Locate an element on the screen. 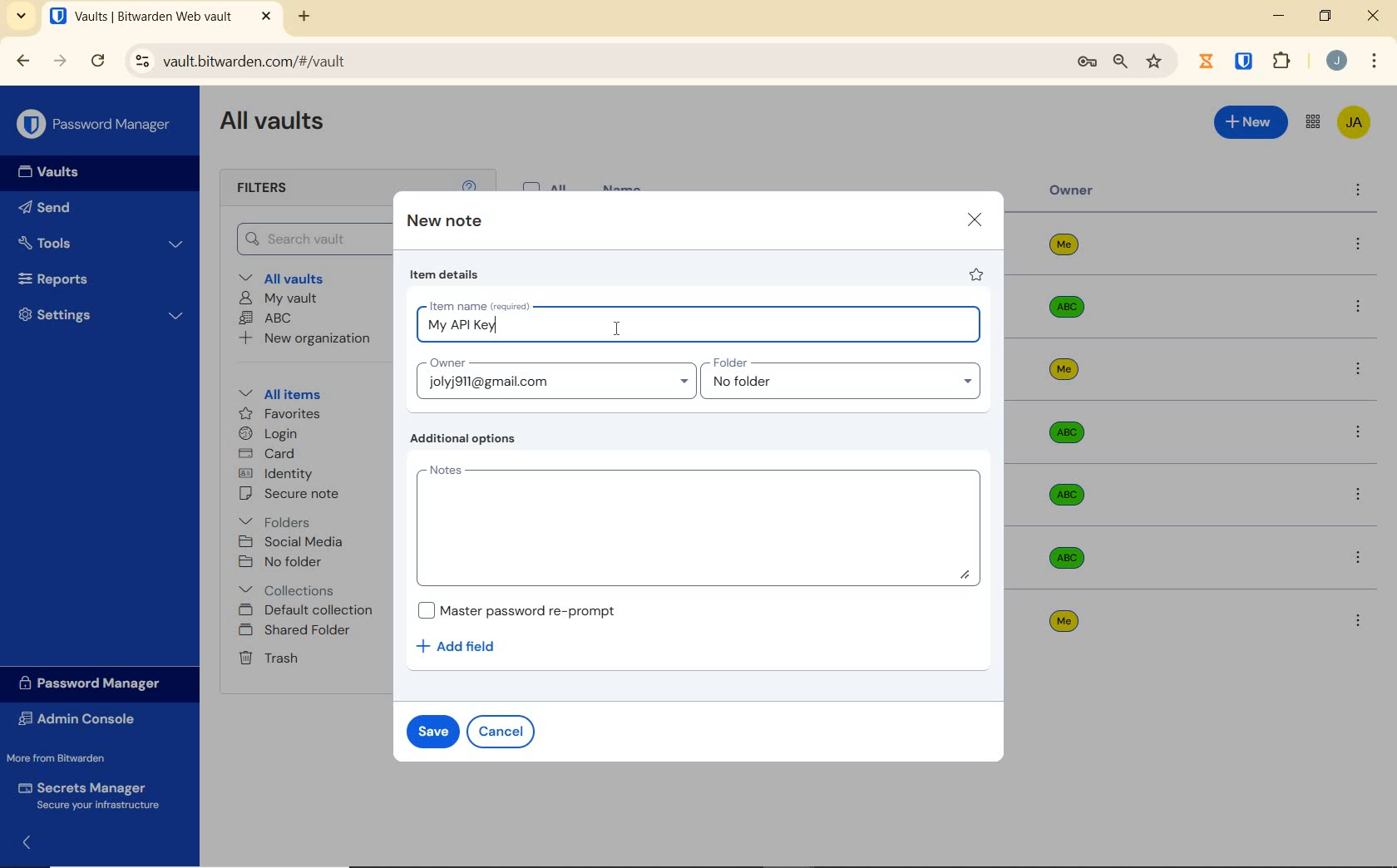  Password Manager is located at coordinates (95, 683).